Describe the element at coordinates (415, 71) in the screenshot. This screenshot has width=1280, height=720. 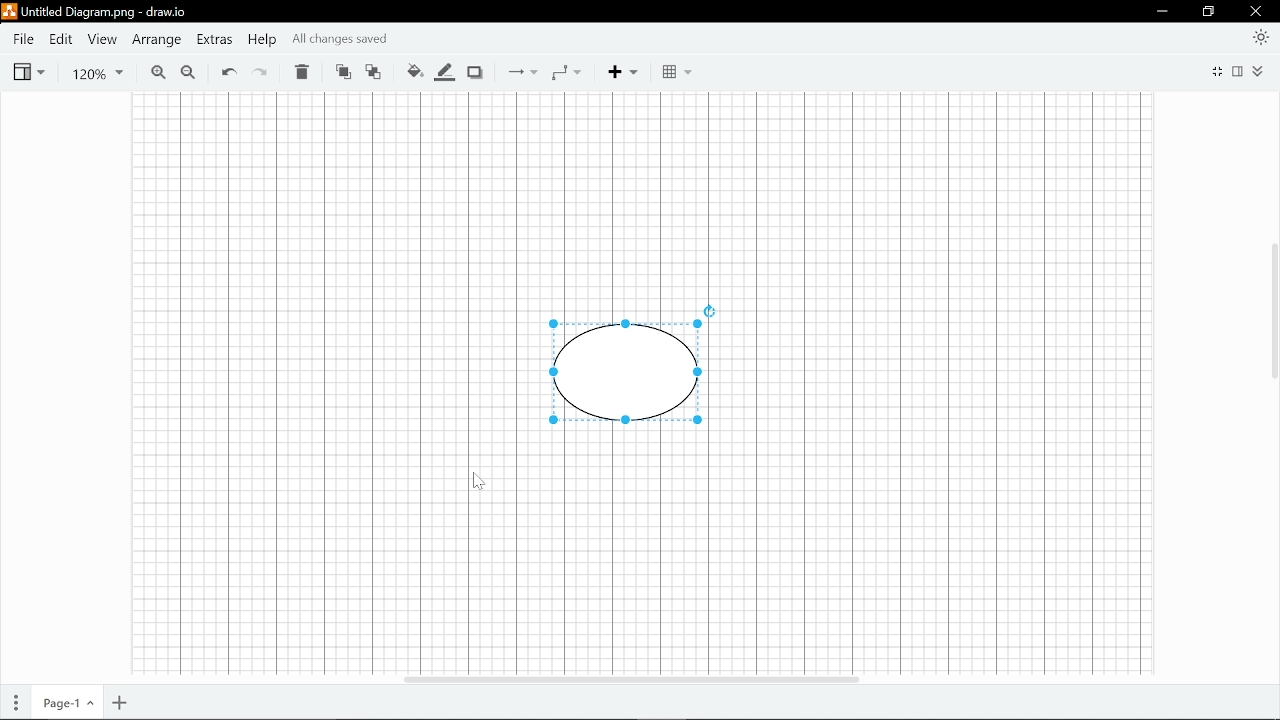
I see `Fill color` at that location.